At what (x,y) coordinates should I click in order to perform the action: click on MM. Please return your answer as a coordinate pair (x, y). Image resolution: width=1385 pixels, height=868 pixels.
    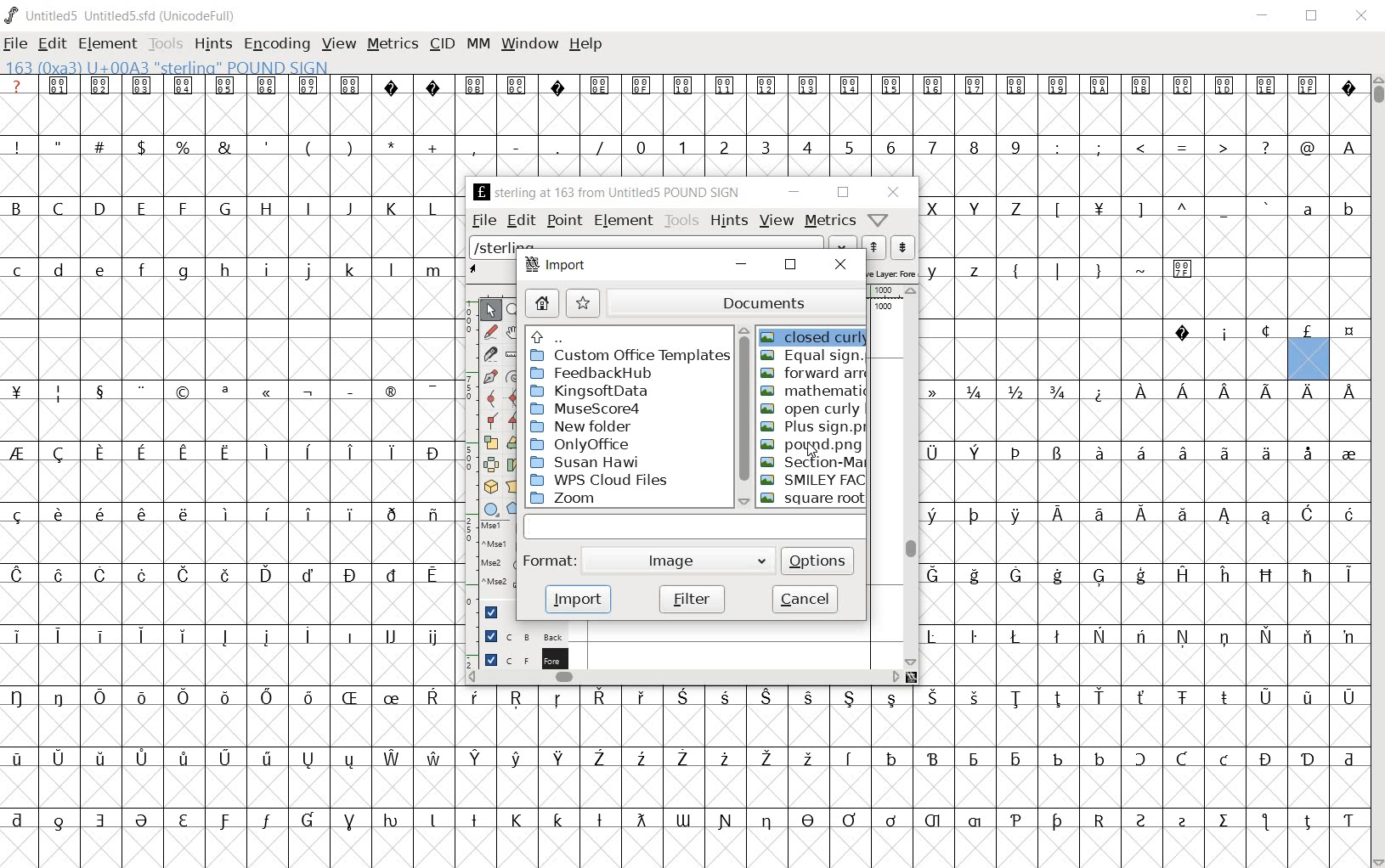
    Looking at the image, I should click on (479, 45).